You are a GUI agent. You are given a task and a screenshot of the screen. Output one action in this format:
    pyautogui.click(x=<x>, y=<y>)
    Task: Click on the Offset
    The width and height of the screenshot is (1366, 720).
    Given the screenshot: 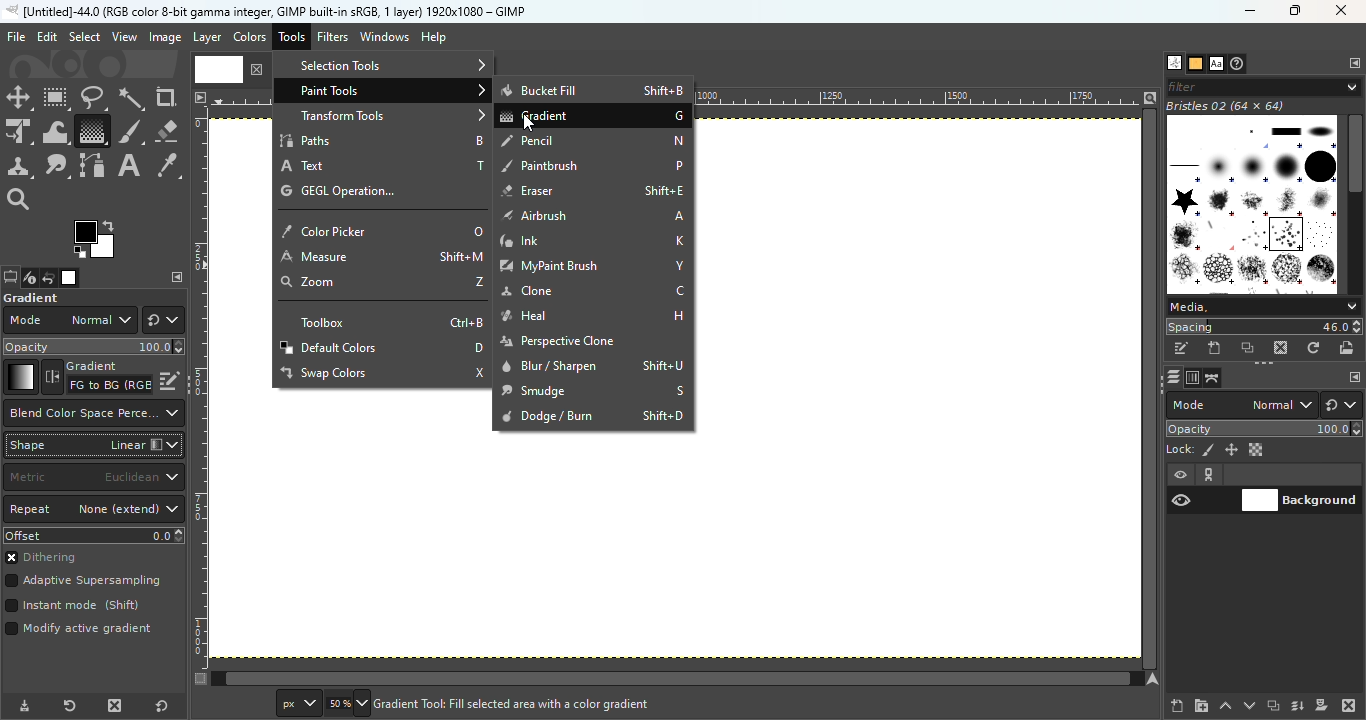 What is the action you would take?
    pyautogui.click(x=94, y=535)
    